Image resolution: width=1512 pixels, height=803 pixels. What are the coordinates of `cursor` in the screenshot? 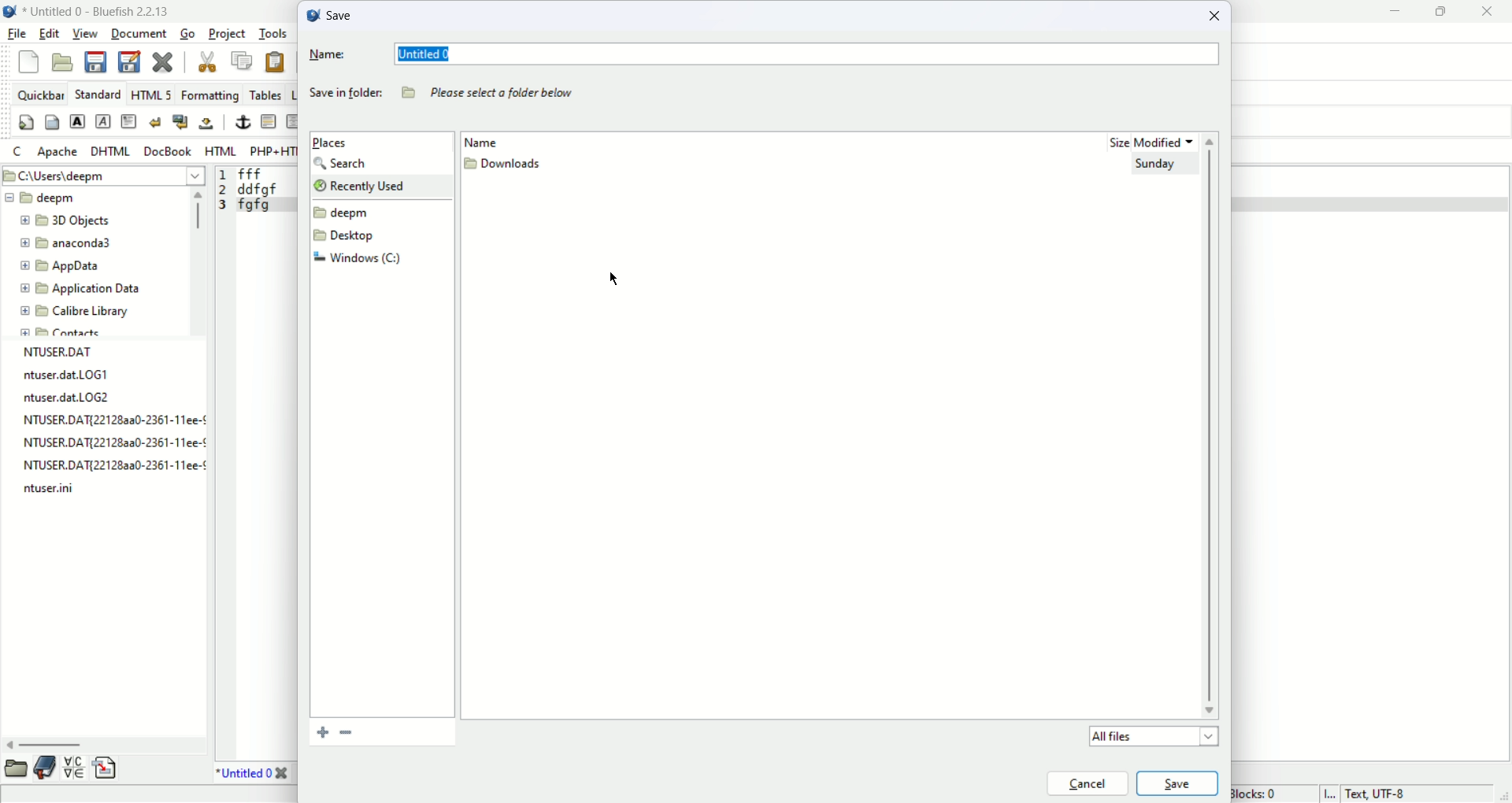 It's located at (613, 279).